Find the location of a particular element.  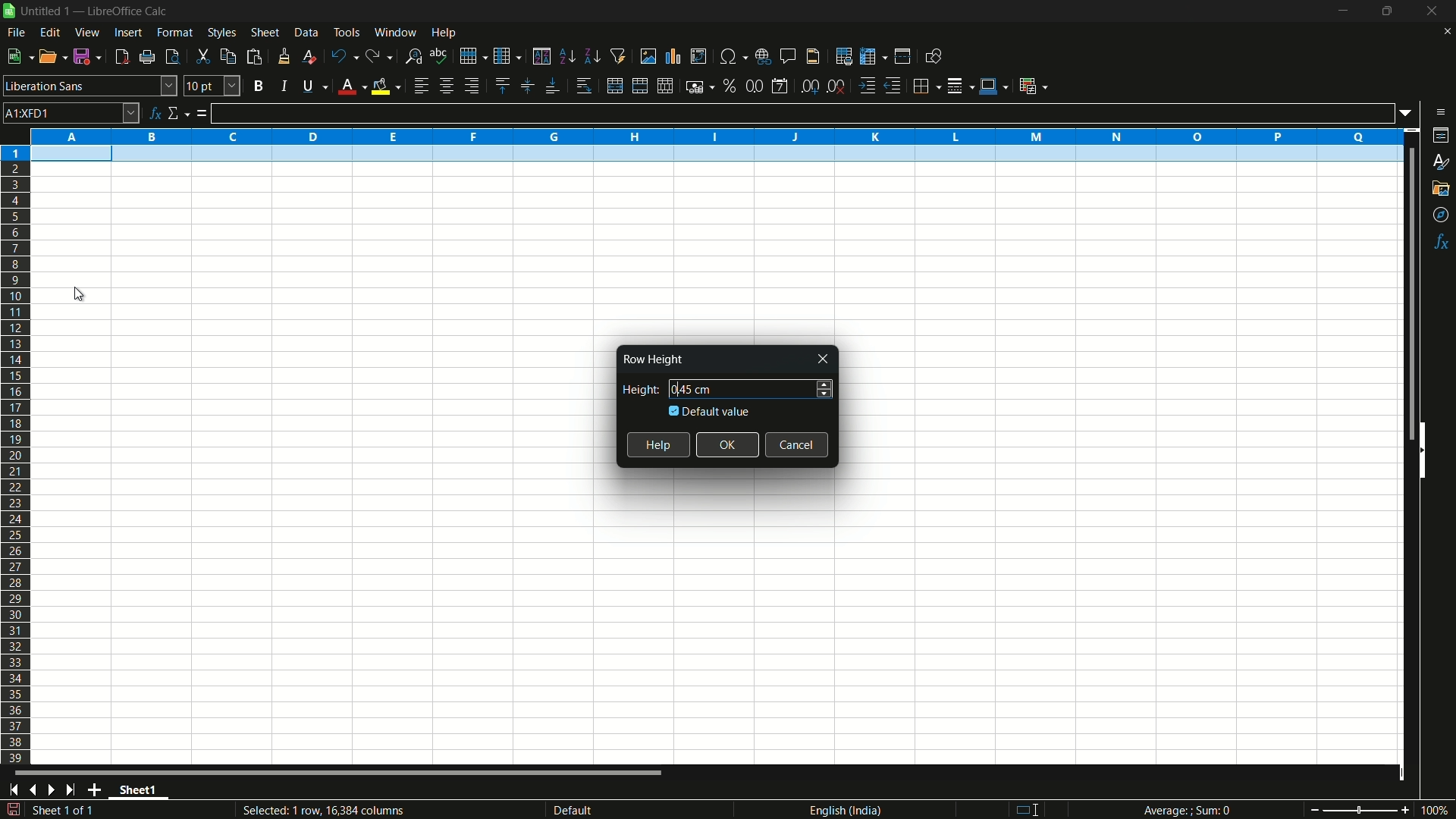

font size is located at coordinates (212, 86).